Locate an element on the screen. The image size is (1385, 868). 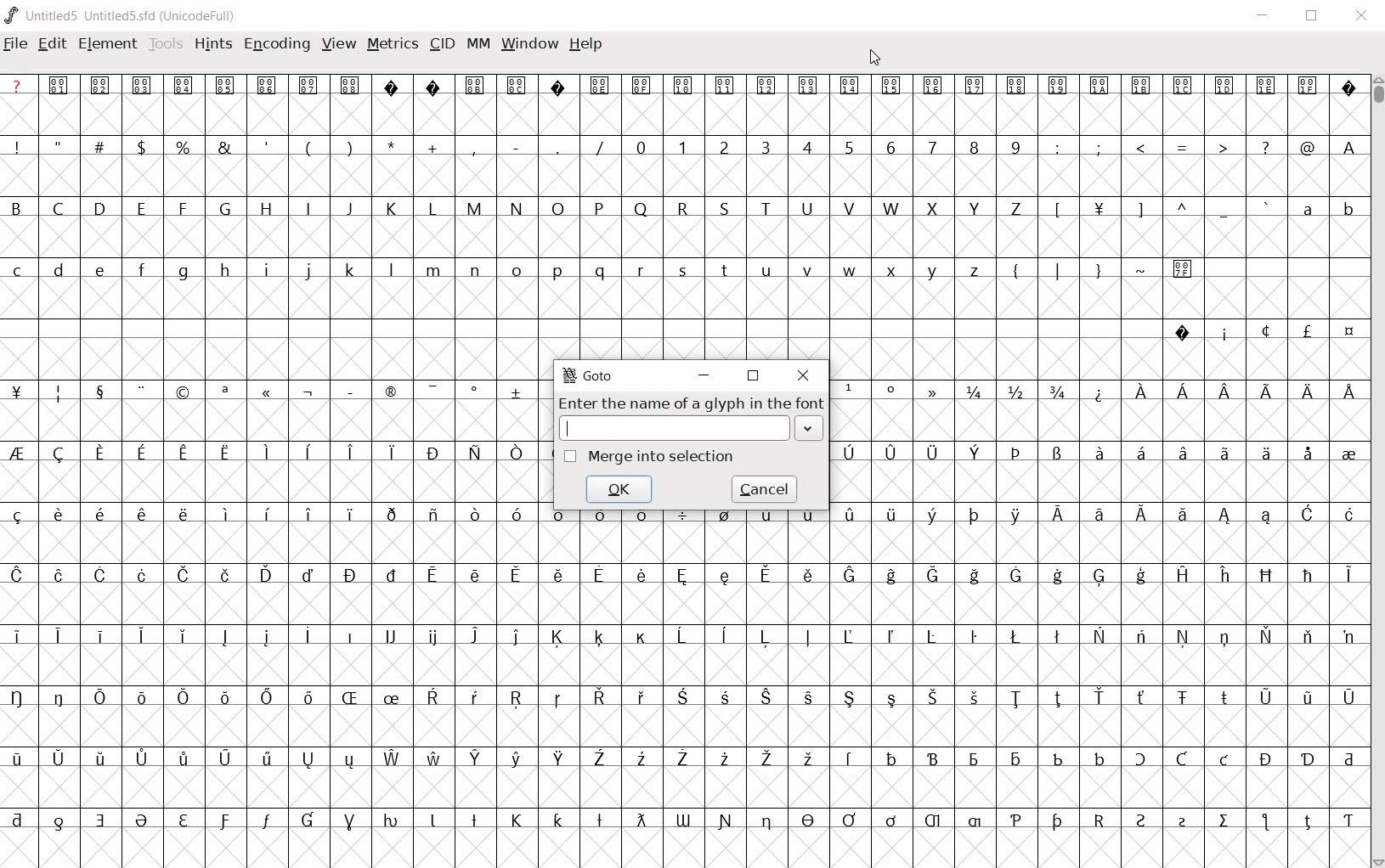
" is located at coordinates (61, 146).